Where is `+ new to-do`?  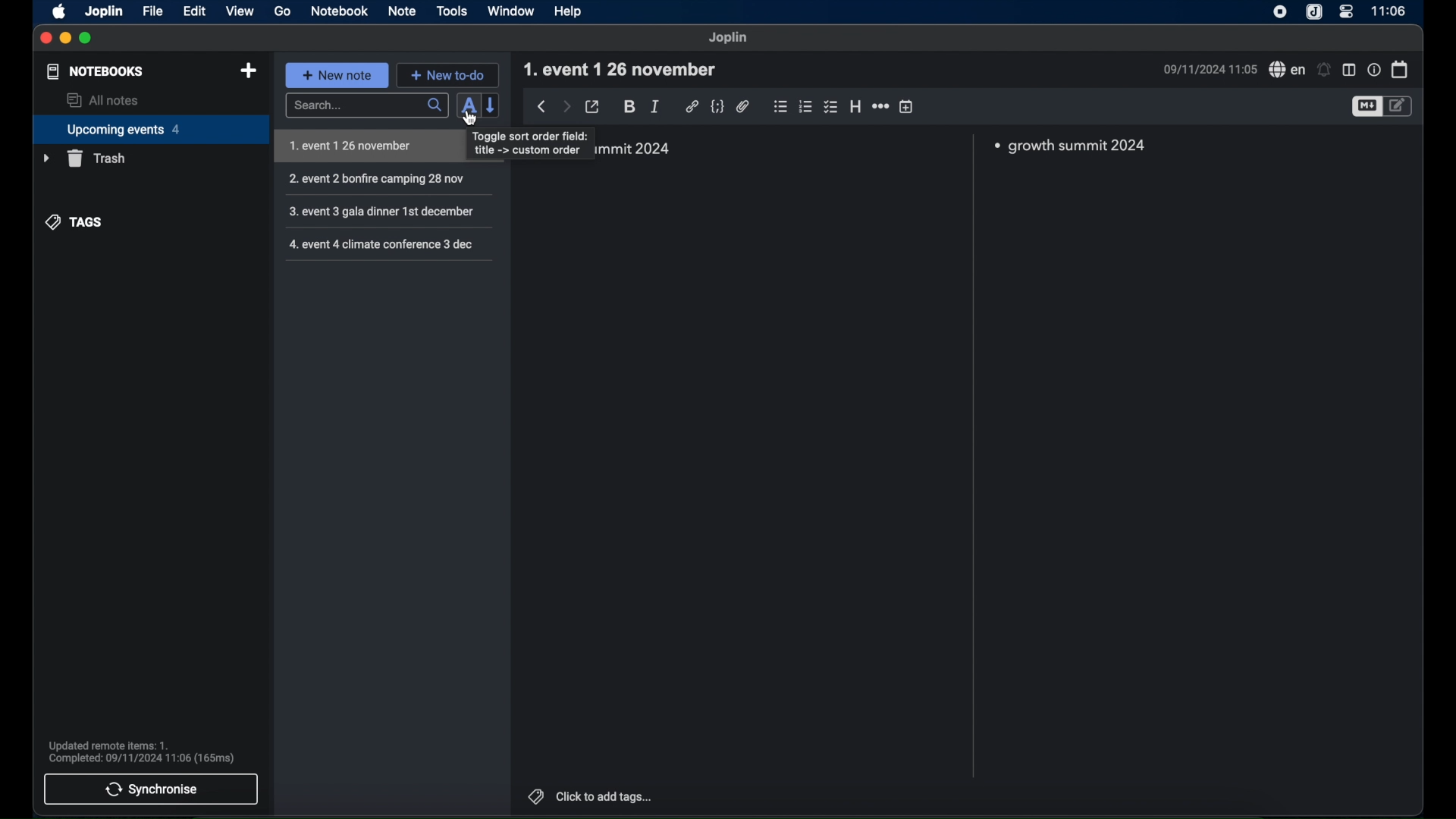
+ new to-do is located at coordinates (447, 74).